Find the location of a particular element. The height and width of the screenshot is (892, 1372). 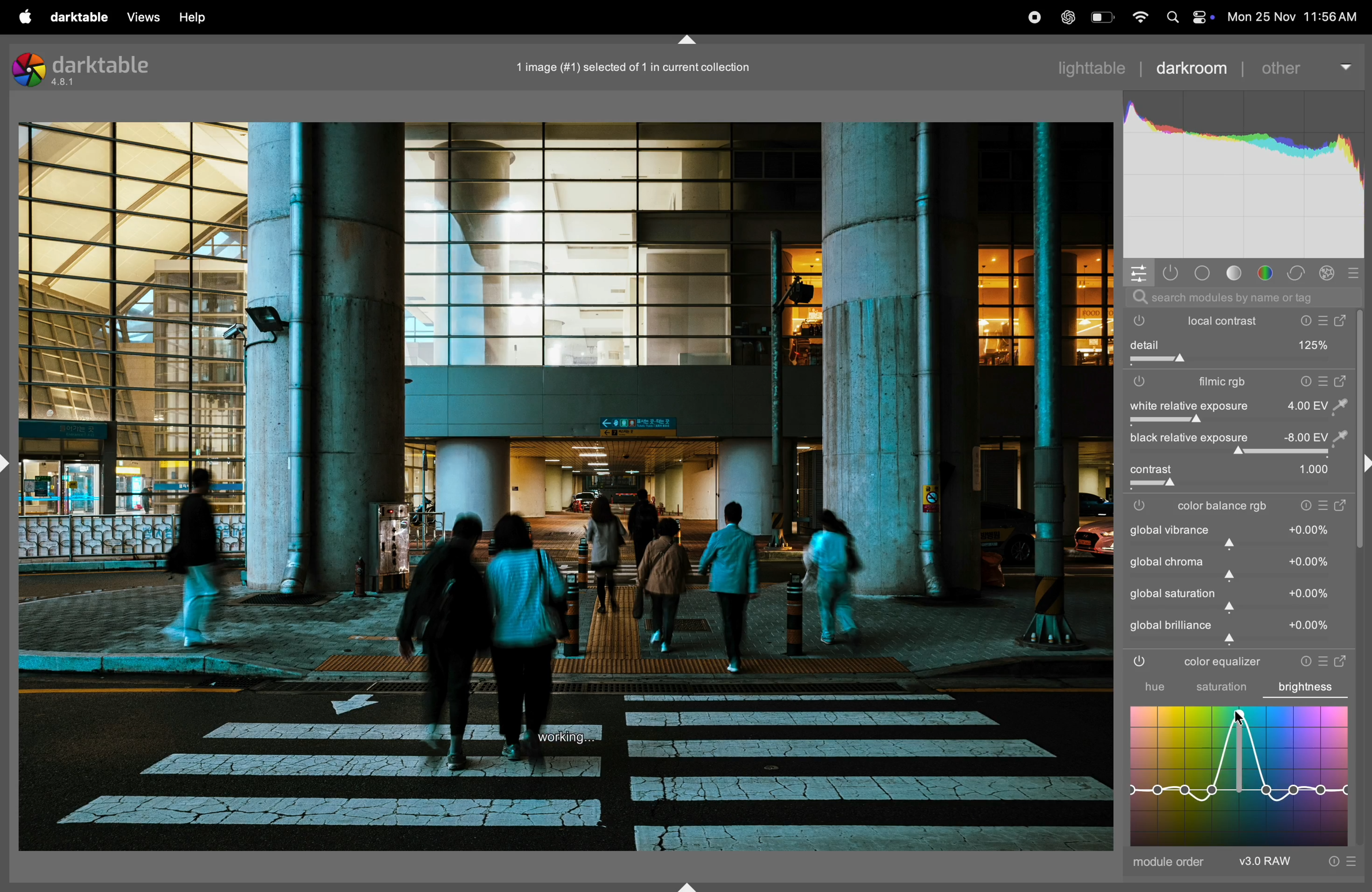

quick panel is located at coordinates (1139, 272).